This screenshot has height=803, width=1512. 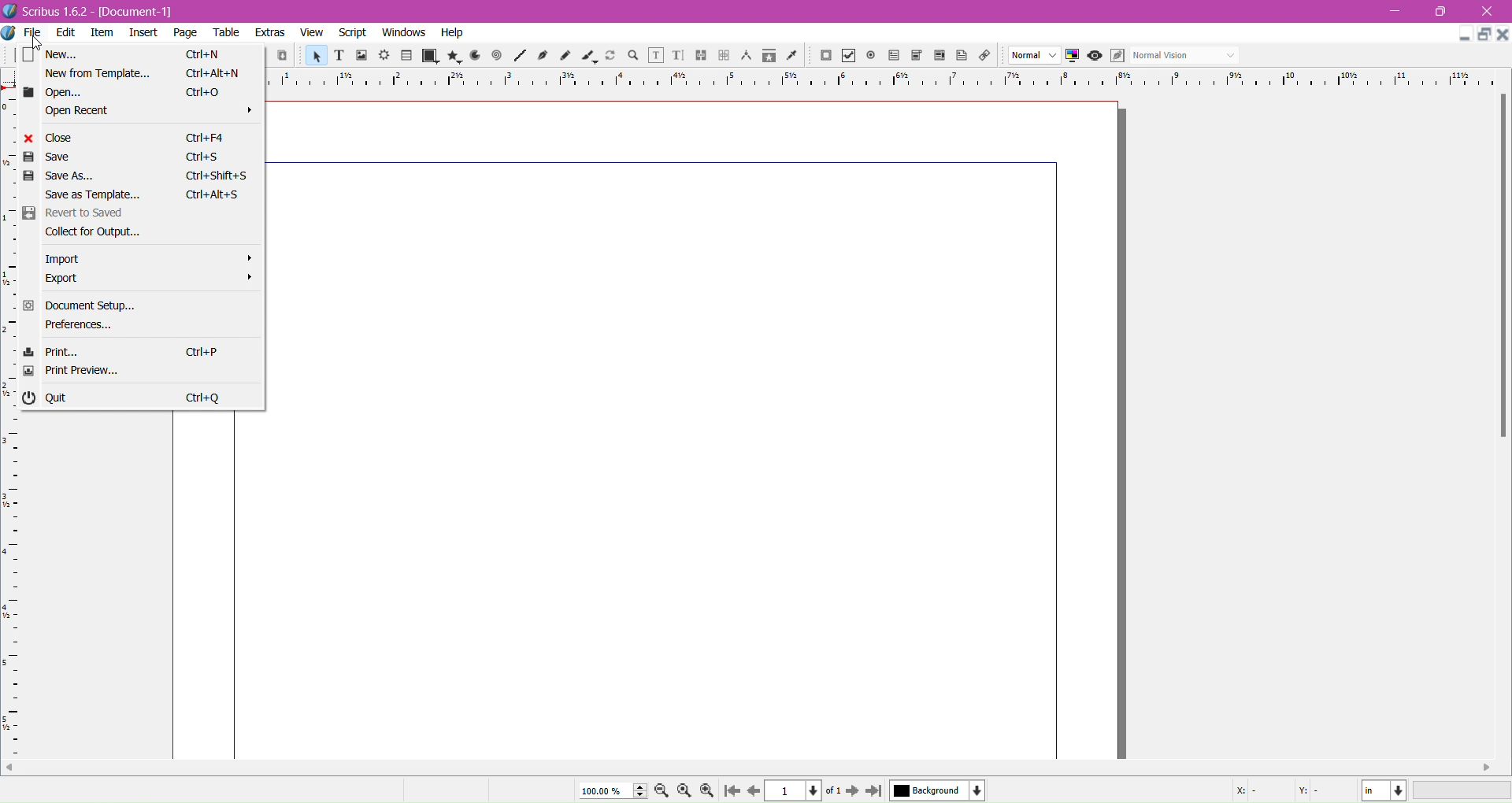 I want to click on Extras, so click(x=267, y=32).